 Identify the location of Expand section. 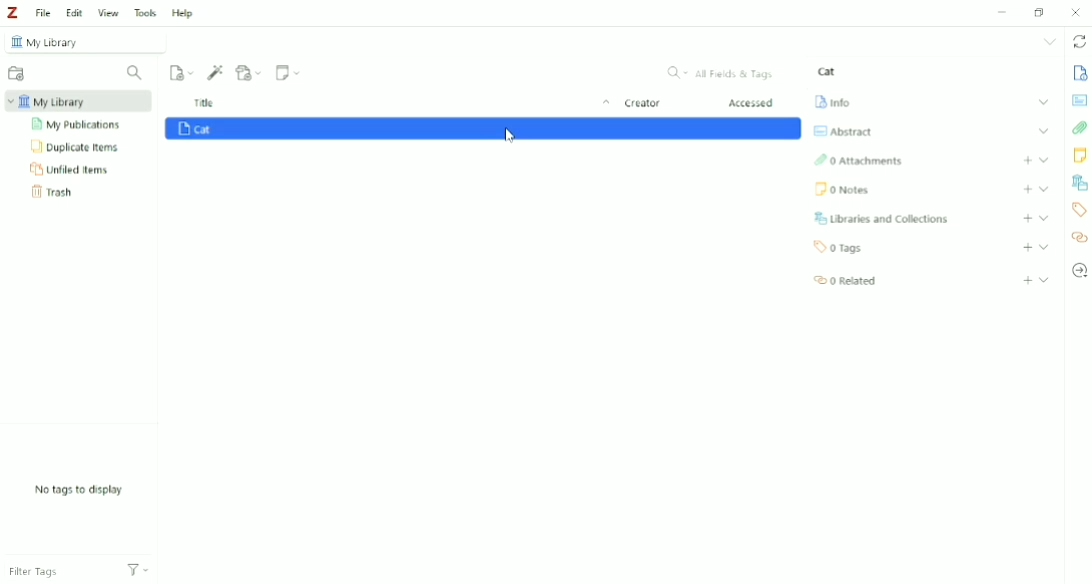
(1044, 102).